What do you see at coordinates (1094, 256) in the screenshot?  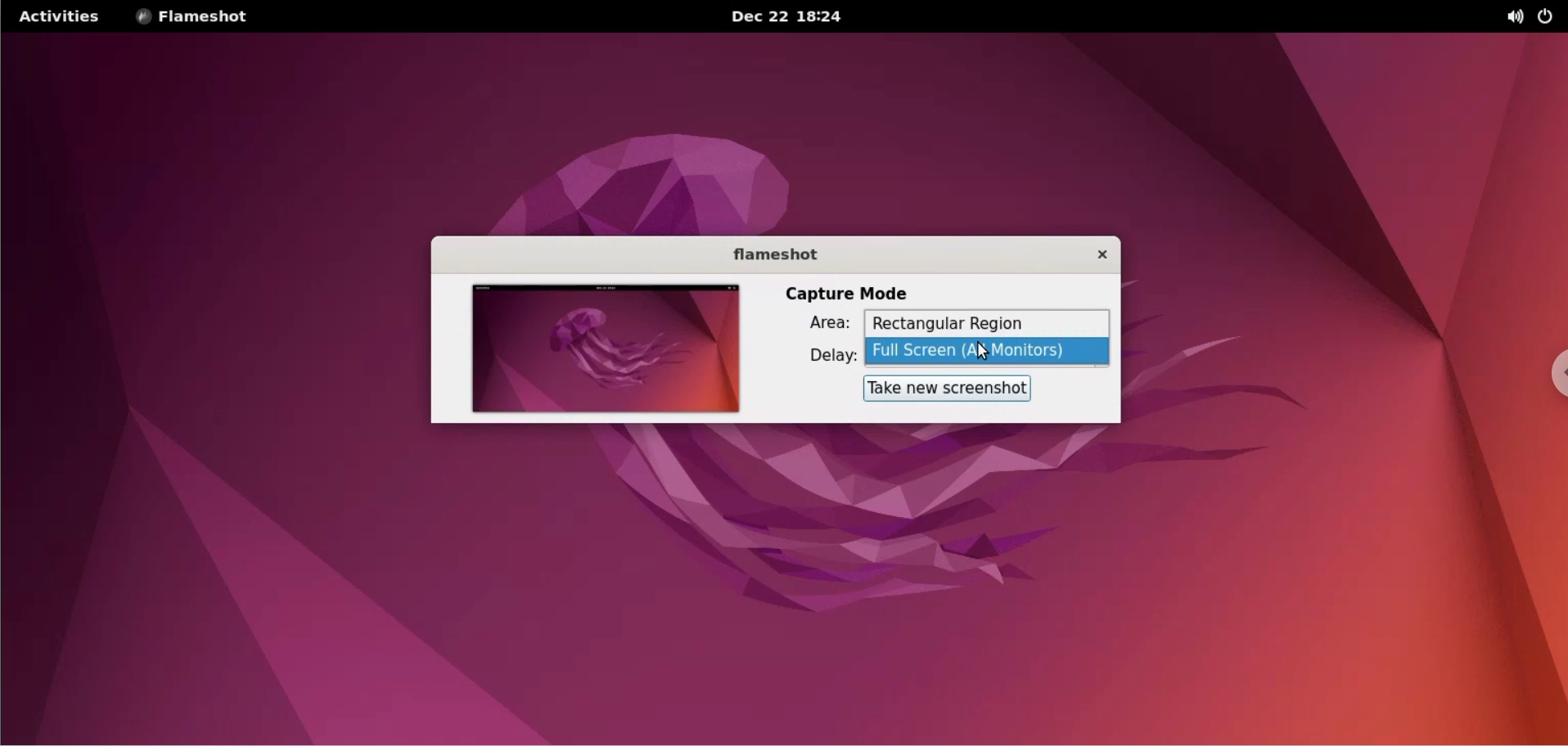 I see `close ` at bounding box center [1094, 256].